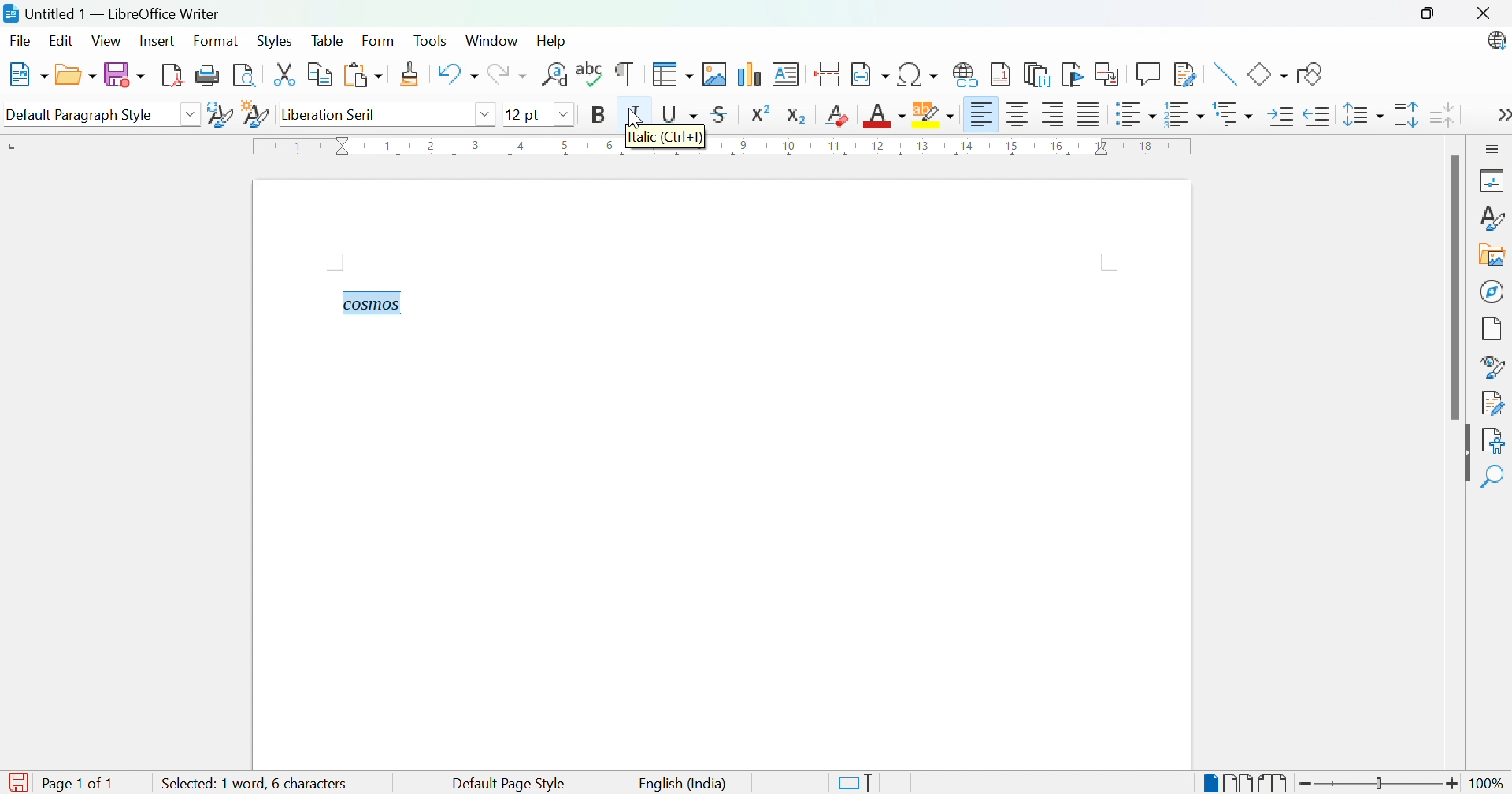  Describe the element at coordinates (1495, 477) in the screenshot. I see `Find` at that location.